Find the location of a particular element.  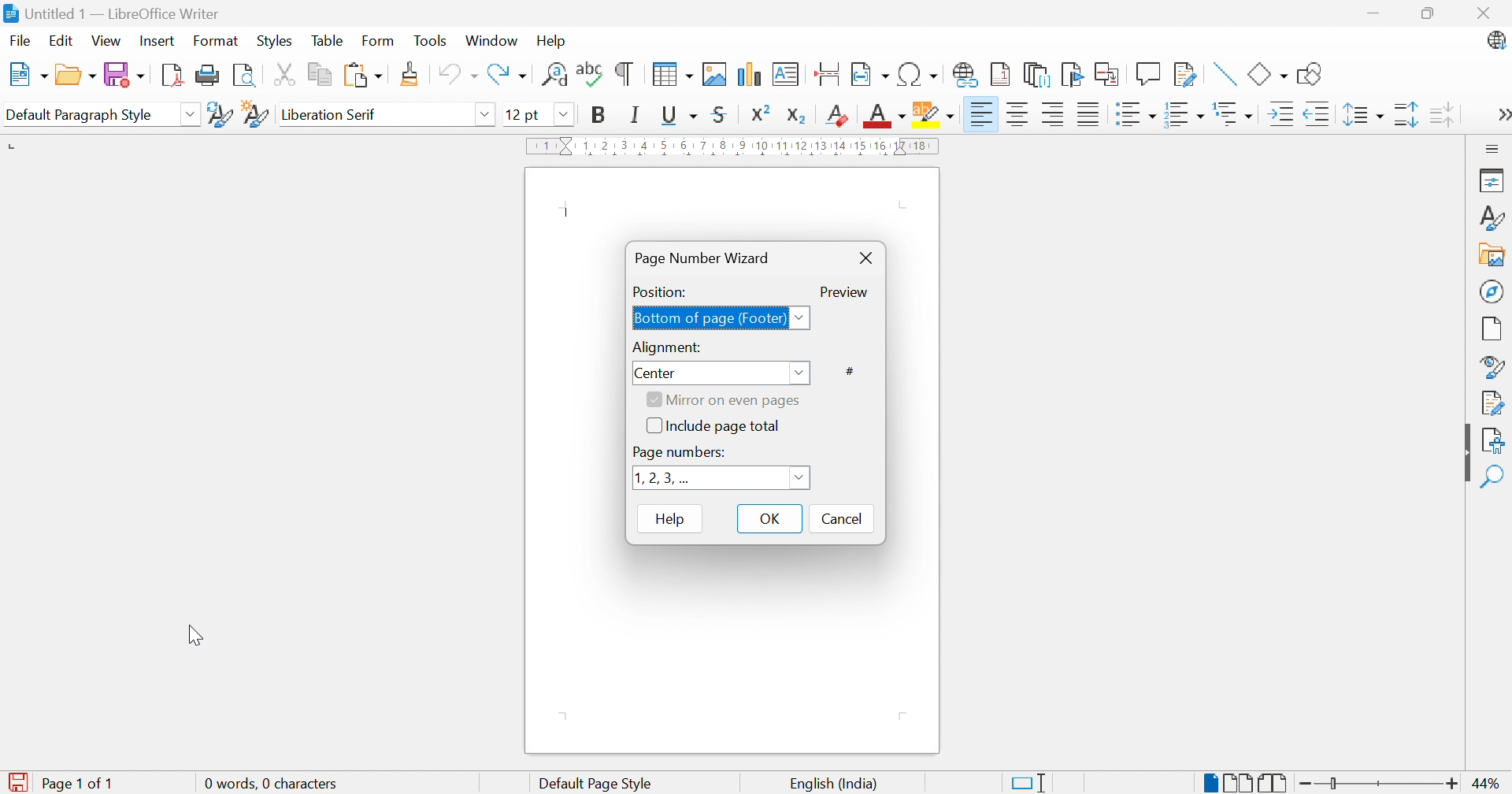

Increase indent is located at coordinates (1277, 117).